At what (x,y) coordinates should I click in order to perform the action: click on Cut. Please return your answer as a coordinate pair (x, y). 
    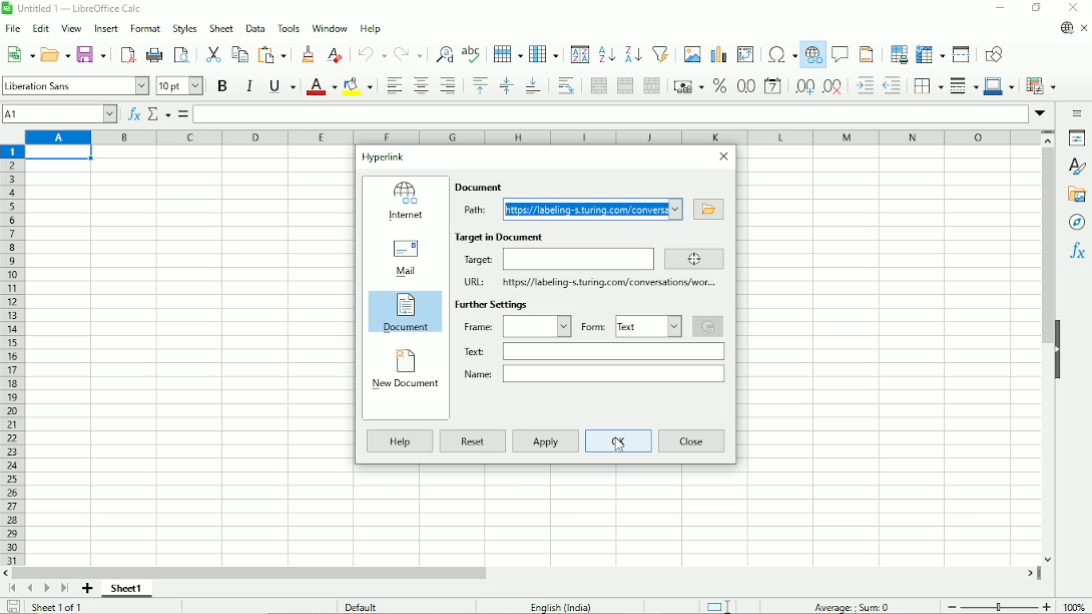
    Looking at the image, I should click on (213, 52).